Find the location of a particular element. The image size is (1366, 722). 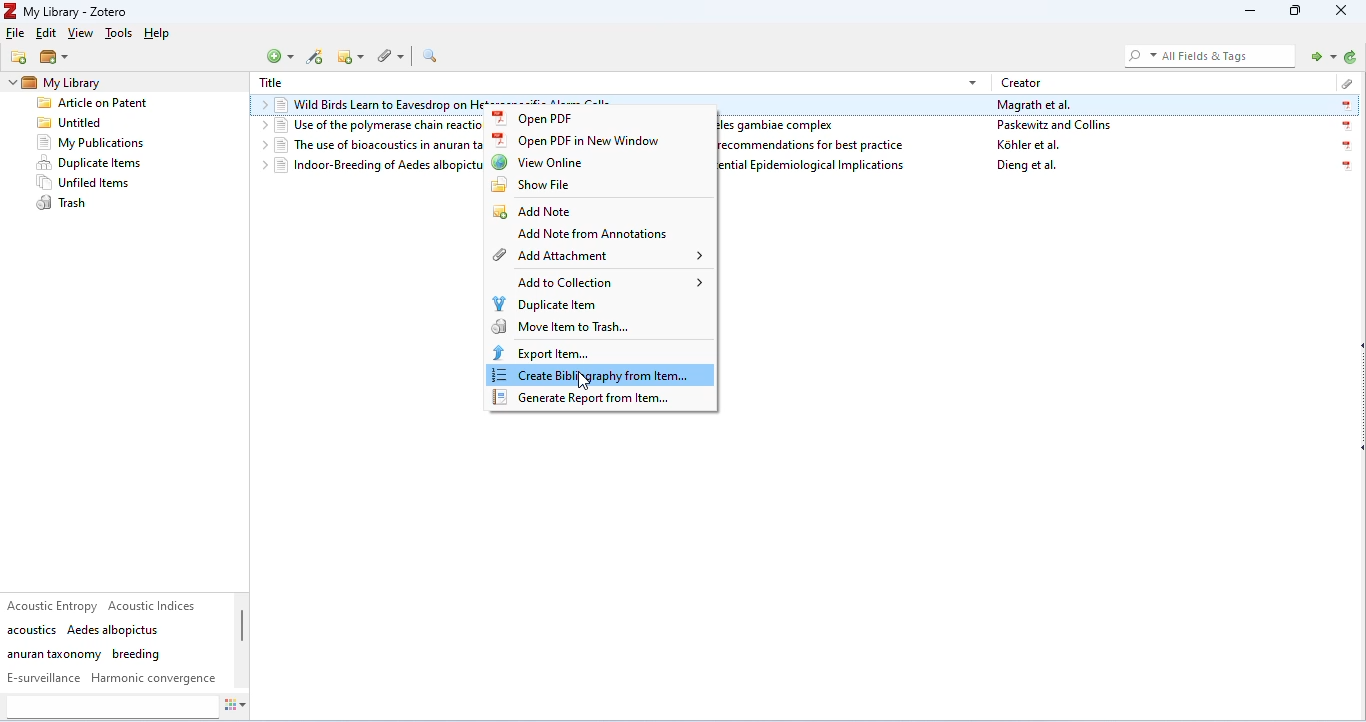

add attachment is located at coordinates (598, 256).